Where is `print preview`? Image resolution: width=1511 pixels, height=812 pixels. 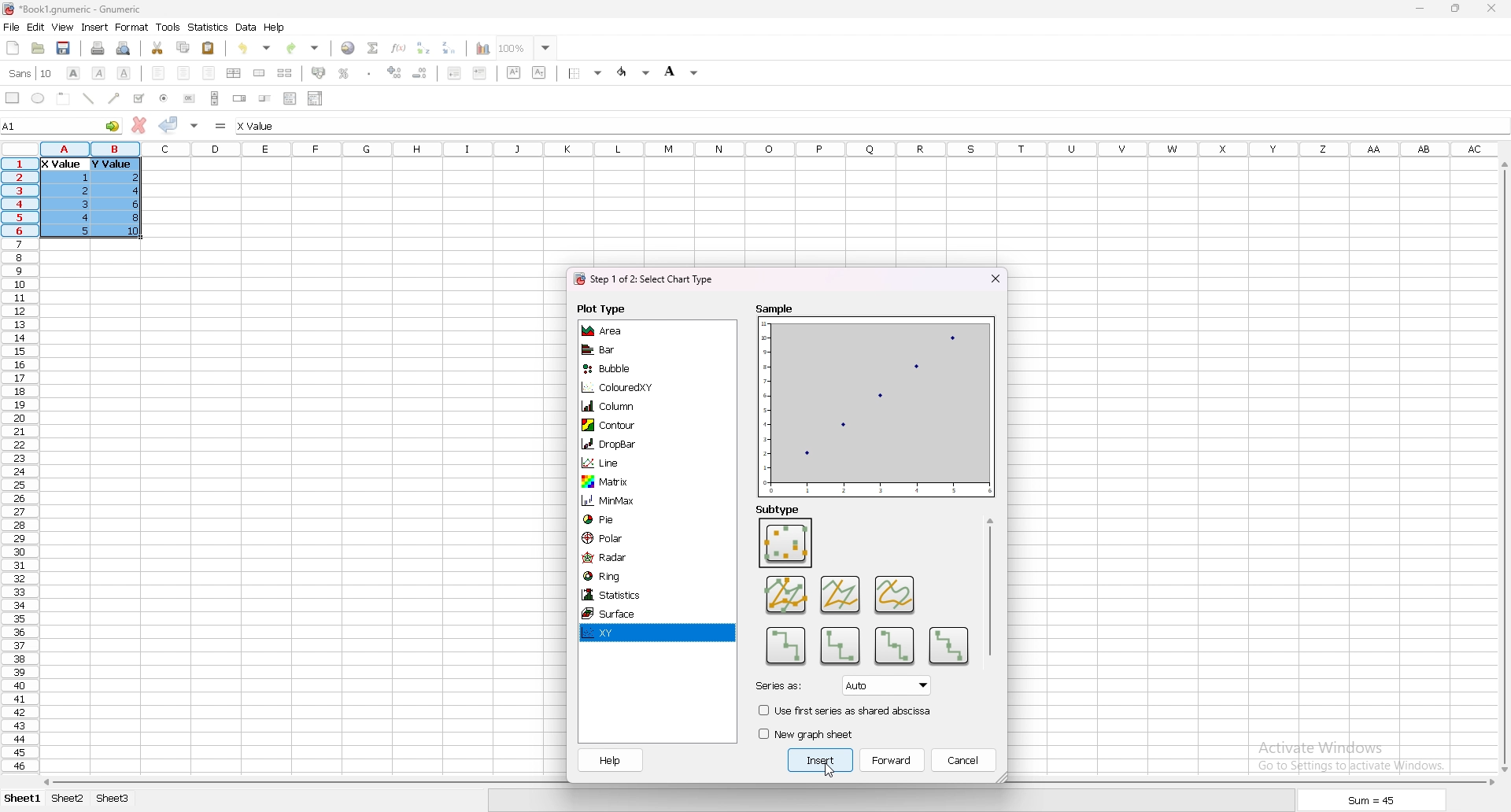 print preview is located at coordinates (124, 48).